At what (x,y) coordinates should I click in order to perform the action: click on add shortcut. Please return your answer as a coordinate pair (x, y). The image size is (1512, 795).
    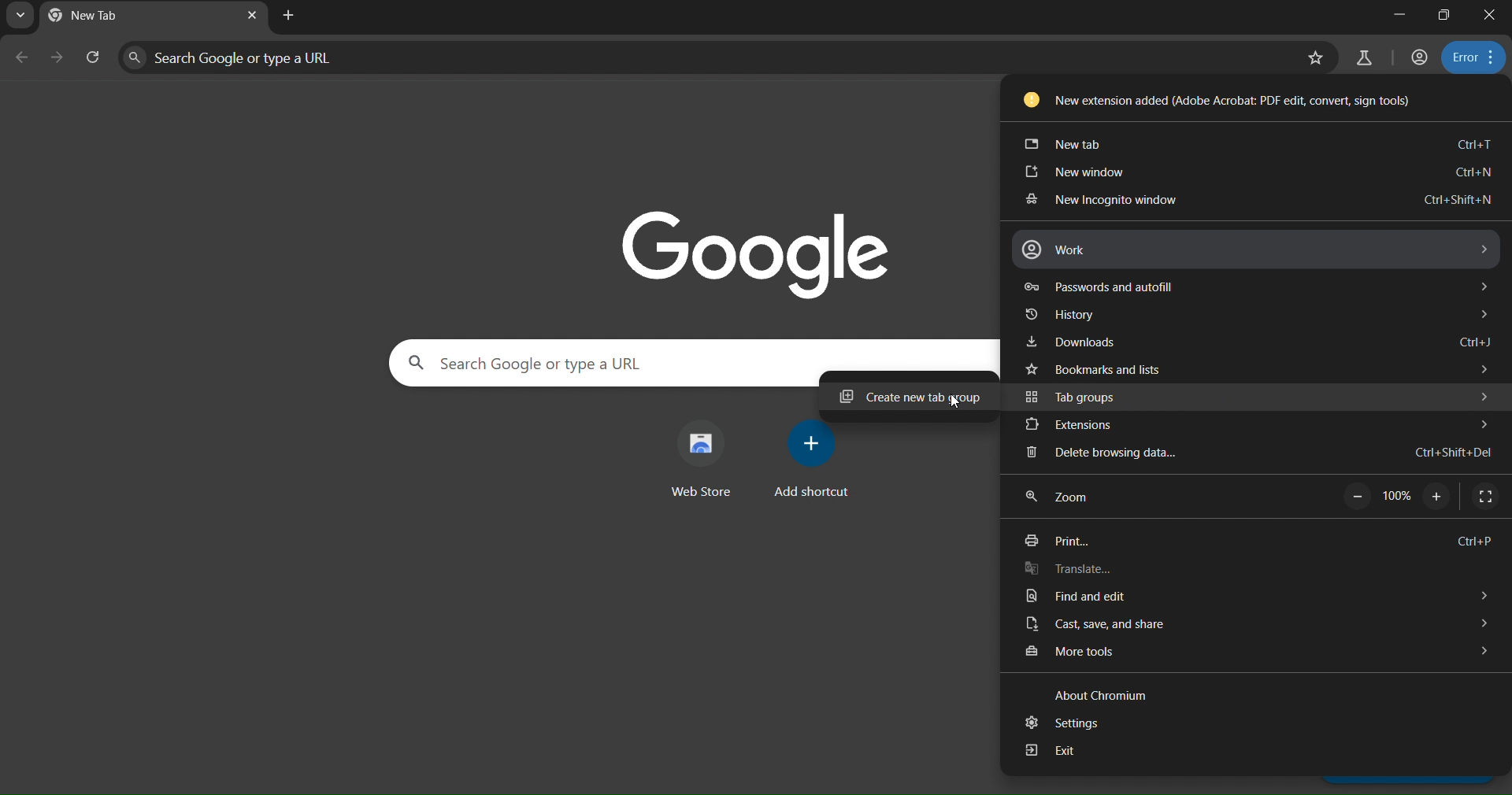
    Looking at the image, I should click on (810, 464).